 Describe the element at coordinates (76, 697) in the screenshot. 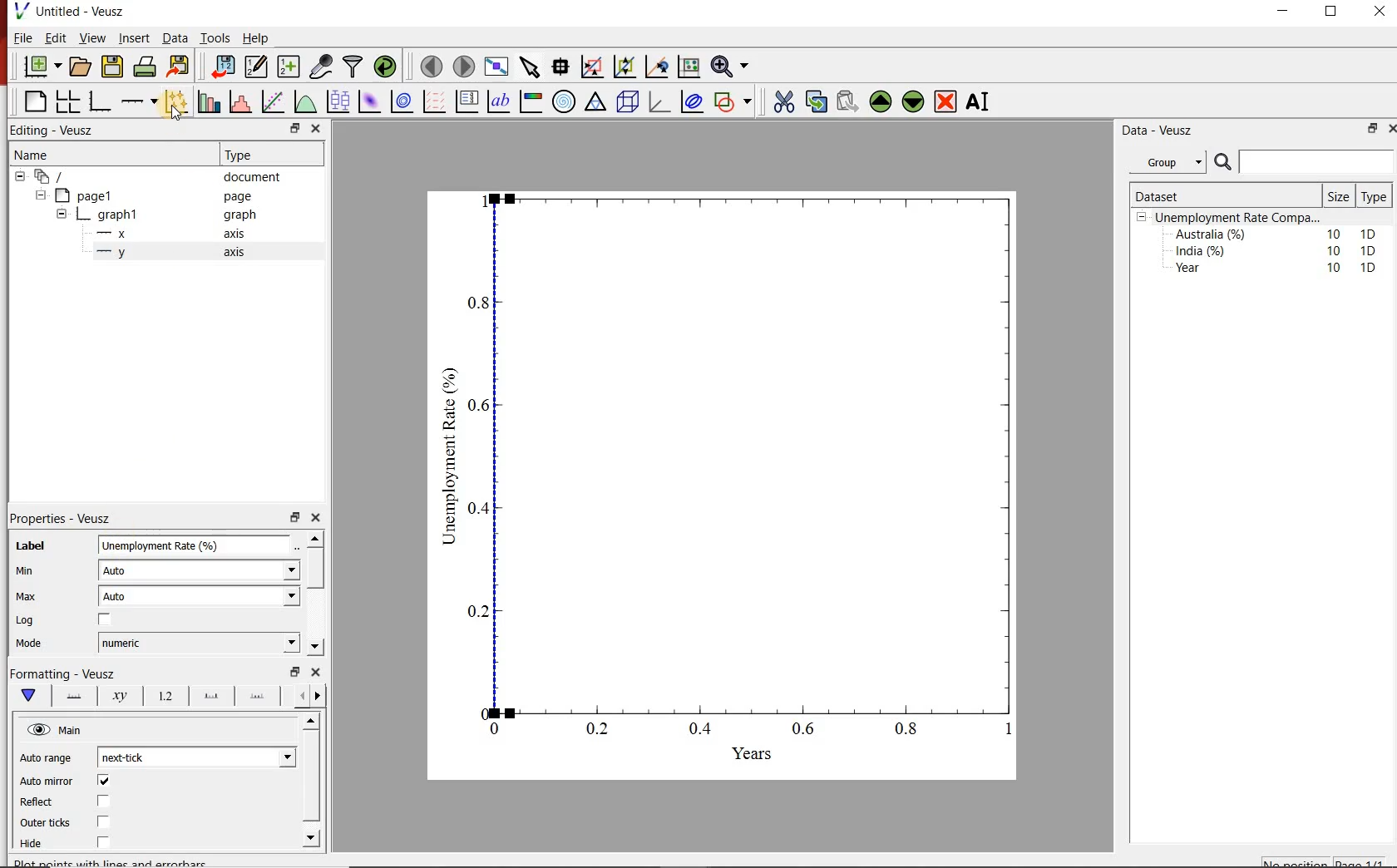

I see `axis lines` at that location.